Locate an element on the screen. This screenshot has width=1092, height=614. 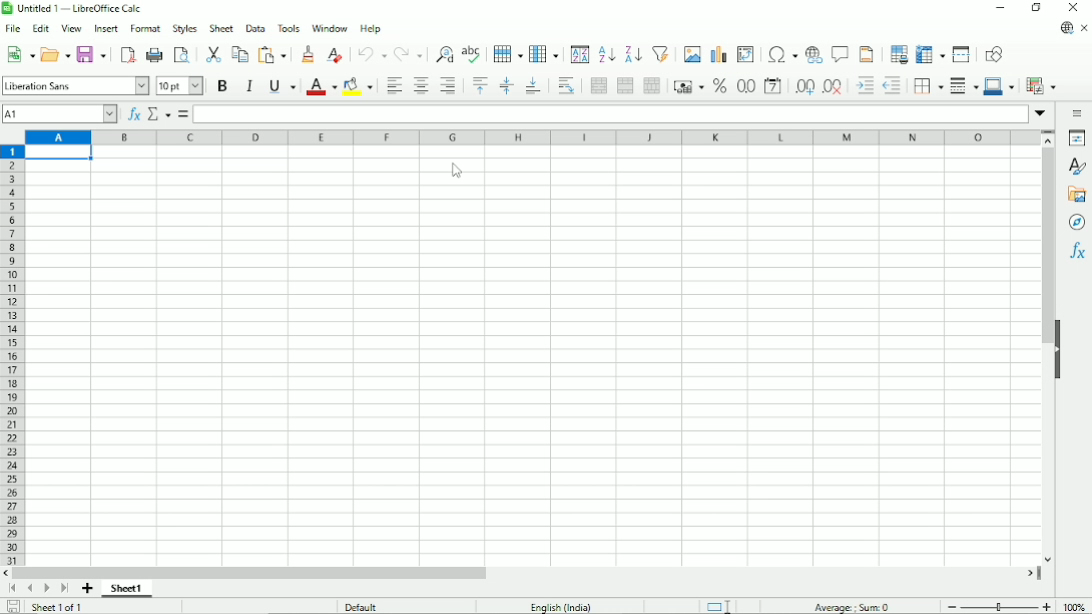
Format as percent is located at coordinates (719, 86).